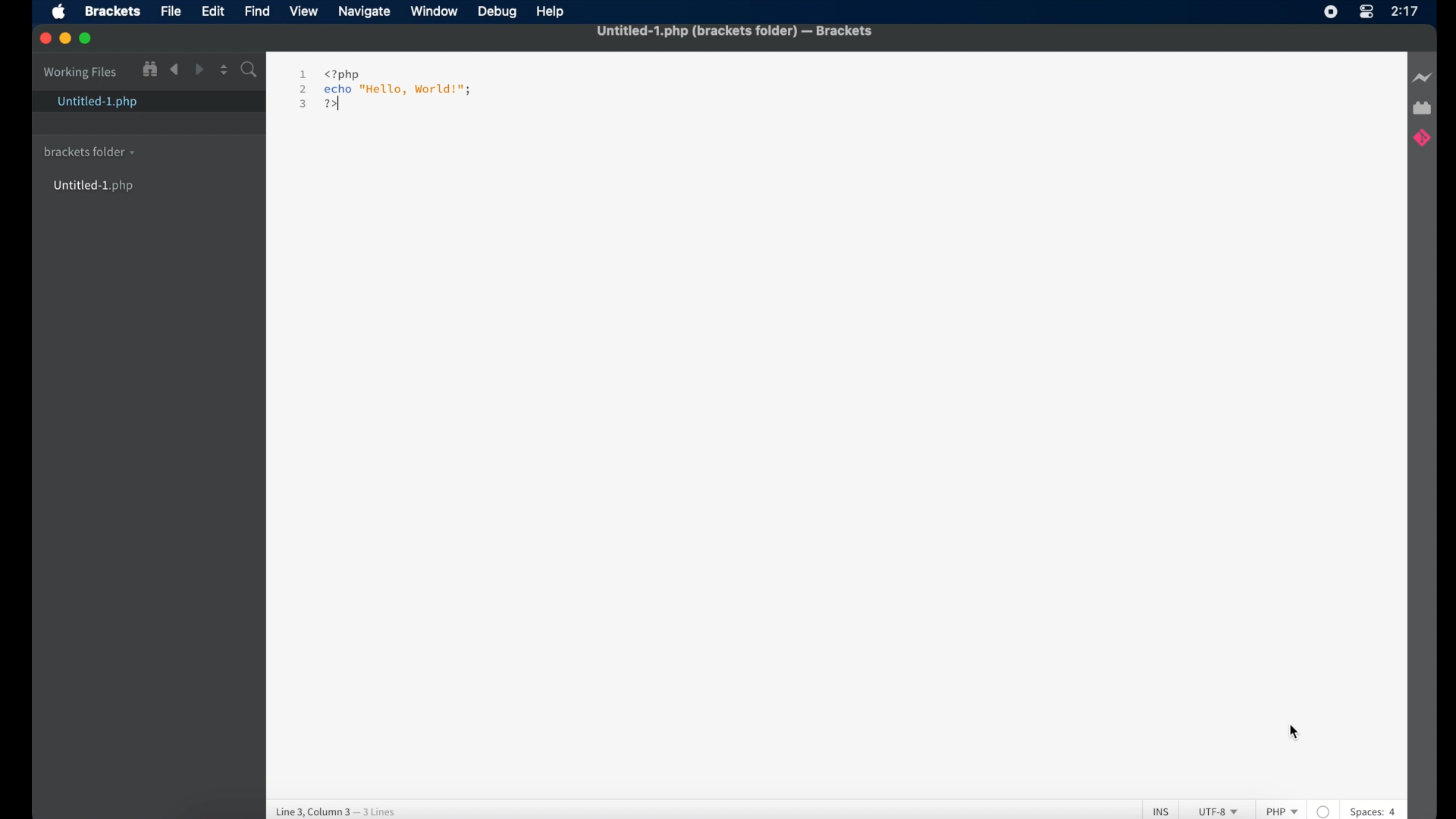  Describe the element at coordinates (1155, 811) in the screenshot. I see `INS` at that location.